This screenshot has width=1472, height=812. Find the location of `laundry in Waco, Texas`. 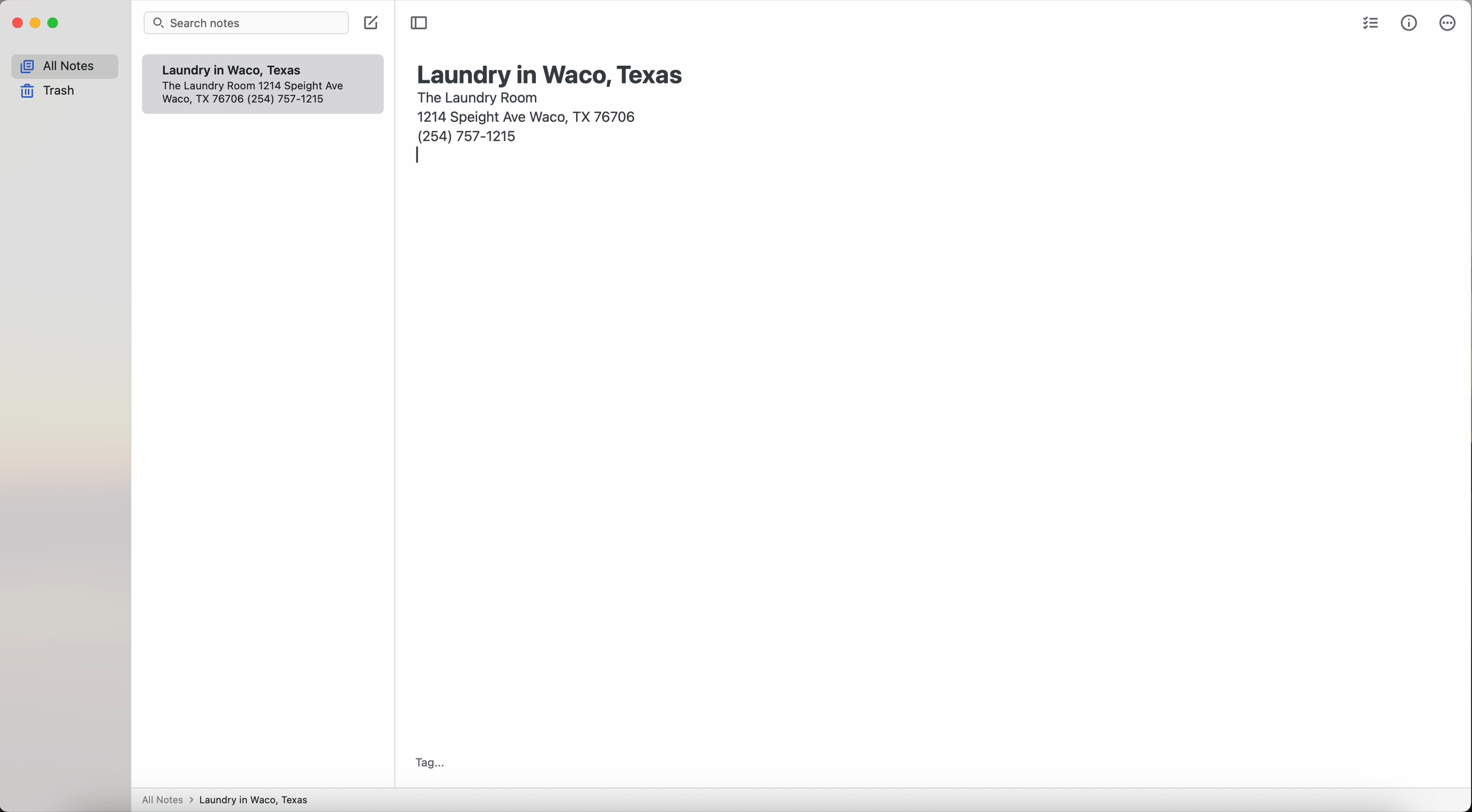

laundry in Waco, Texas is located at coordinates (552, 74).